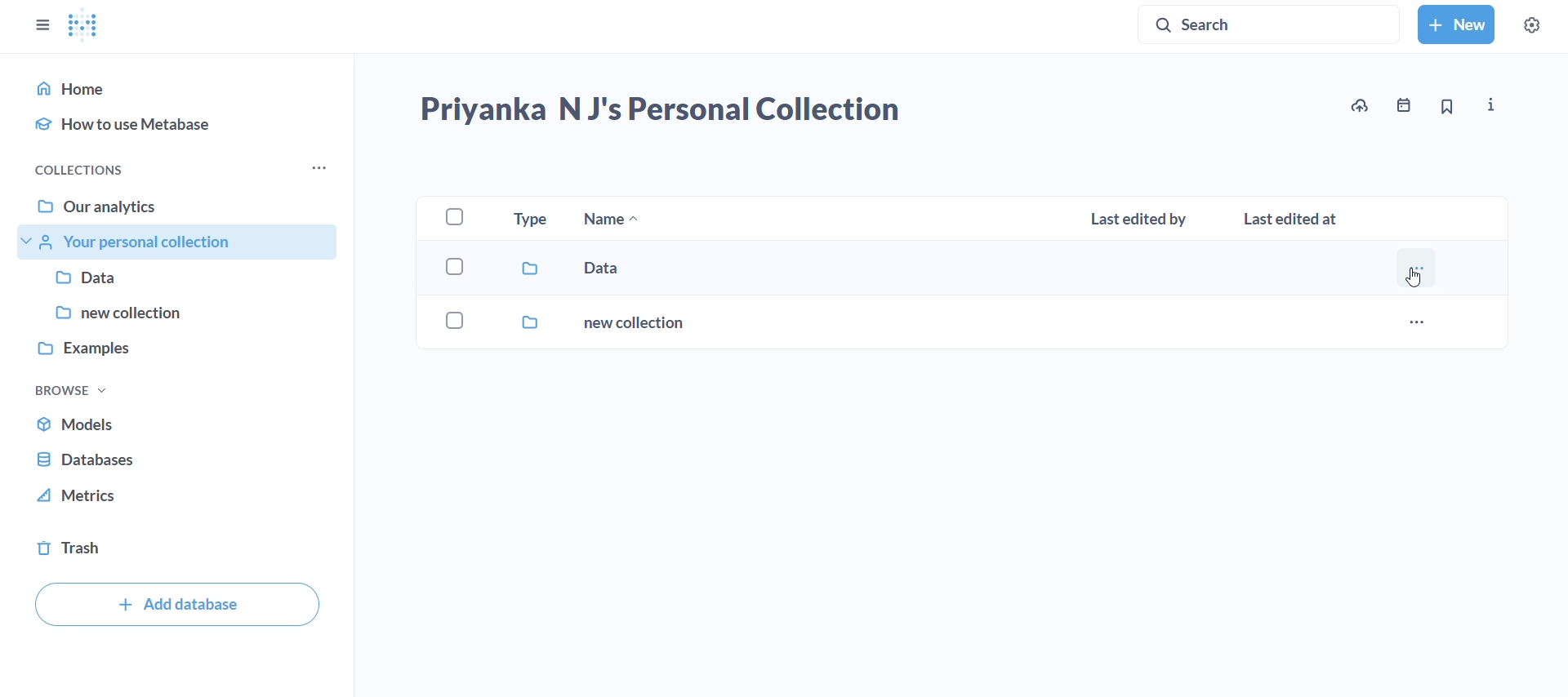 This screenshot has height=697, width=1568. Describe the element at coordinates (178, 89) in the screenshot. I see `home` at that location.